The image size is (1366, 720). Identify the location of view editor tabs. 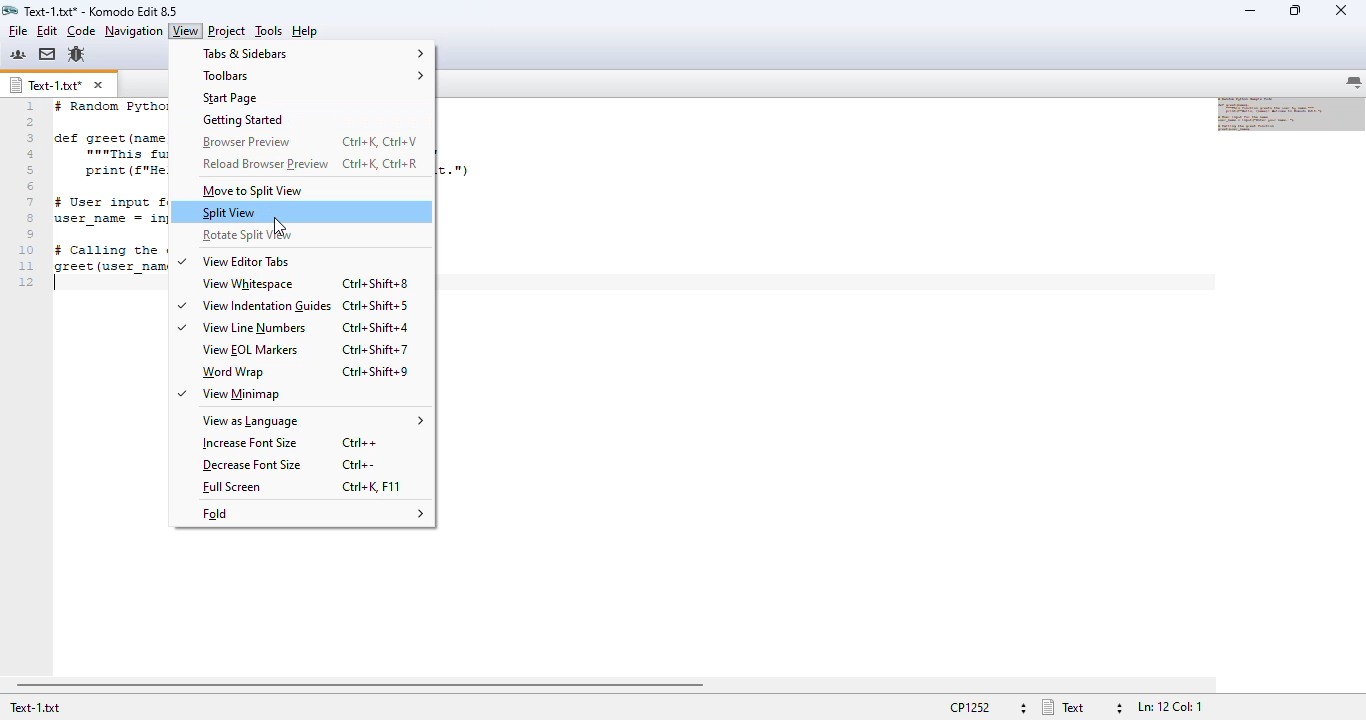
(235, 261).